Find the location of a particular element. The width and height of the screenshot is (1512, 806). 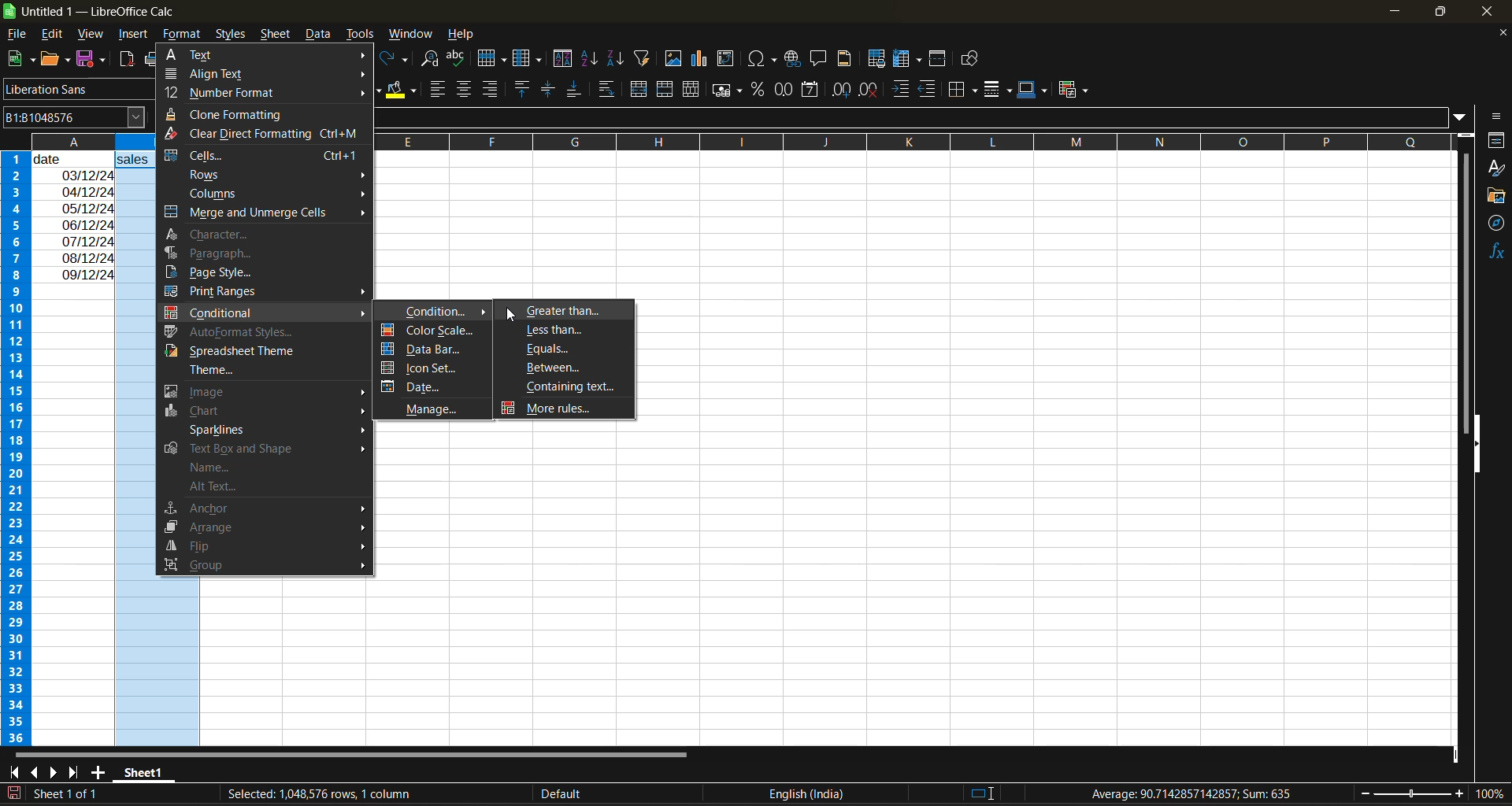

format is located at coordinates (183, 34).